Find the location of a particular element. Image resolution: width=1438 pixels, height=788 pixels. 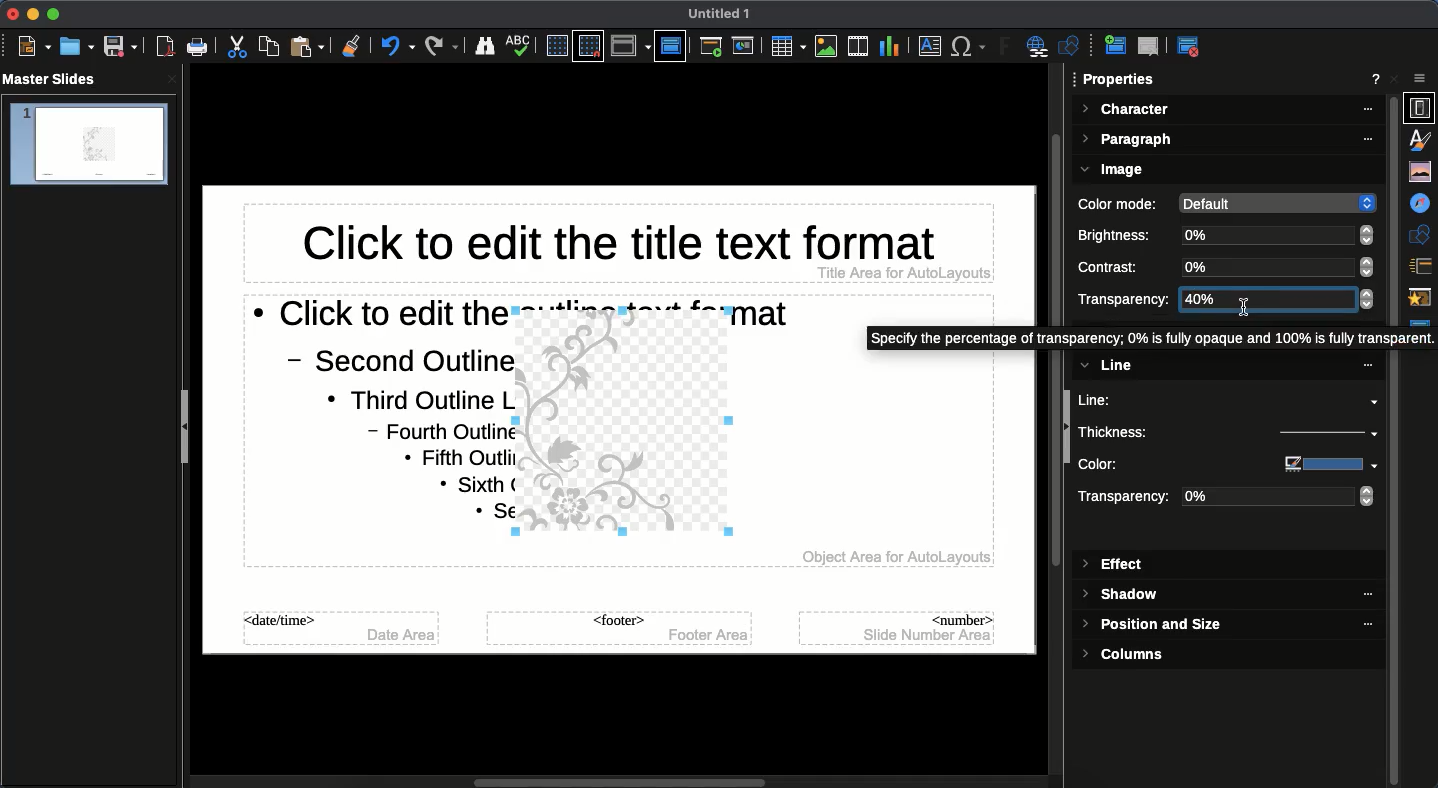

Slide transition is located at coordinates (1423, 266).